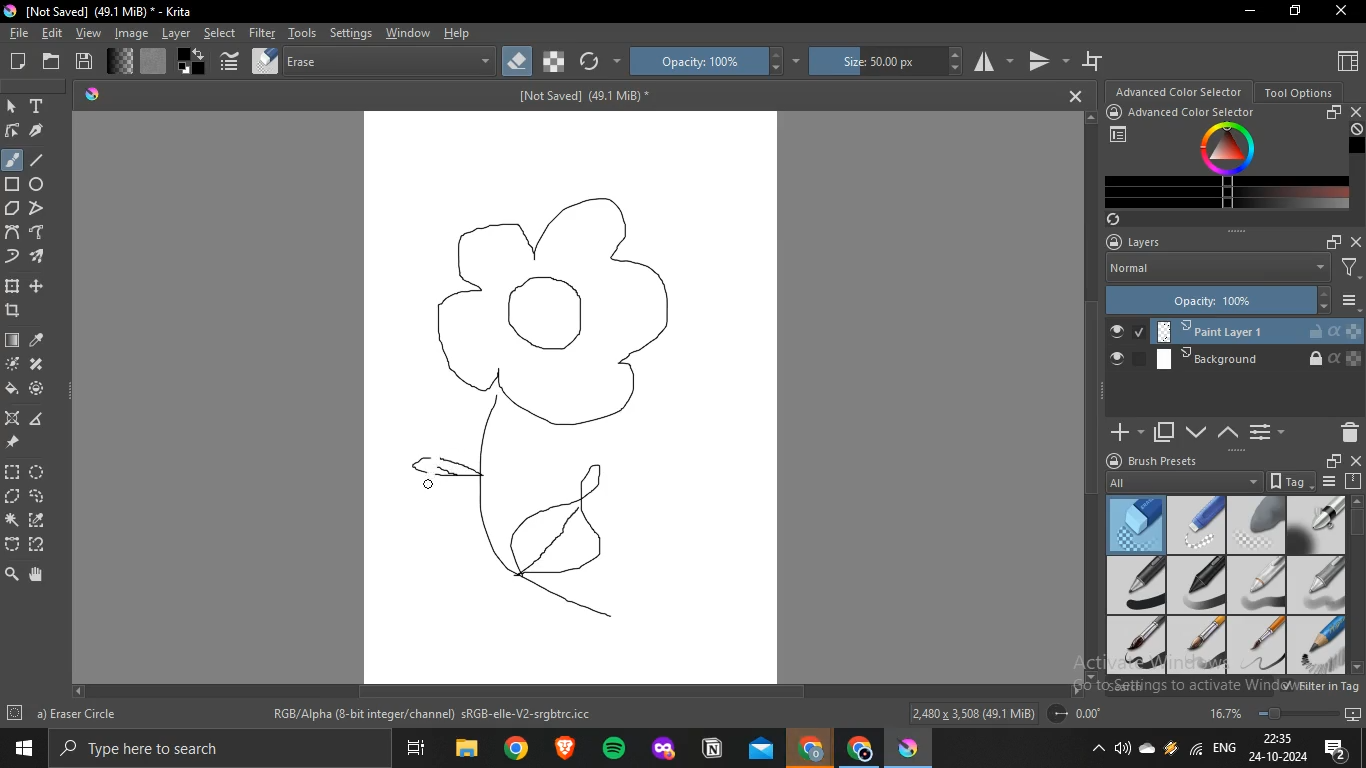  What do you see at coordinates (303, 33) in the screenshot?
I see `tools` at bounding box center [303, 33].